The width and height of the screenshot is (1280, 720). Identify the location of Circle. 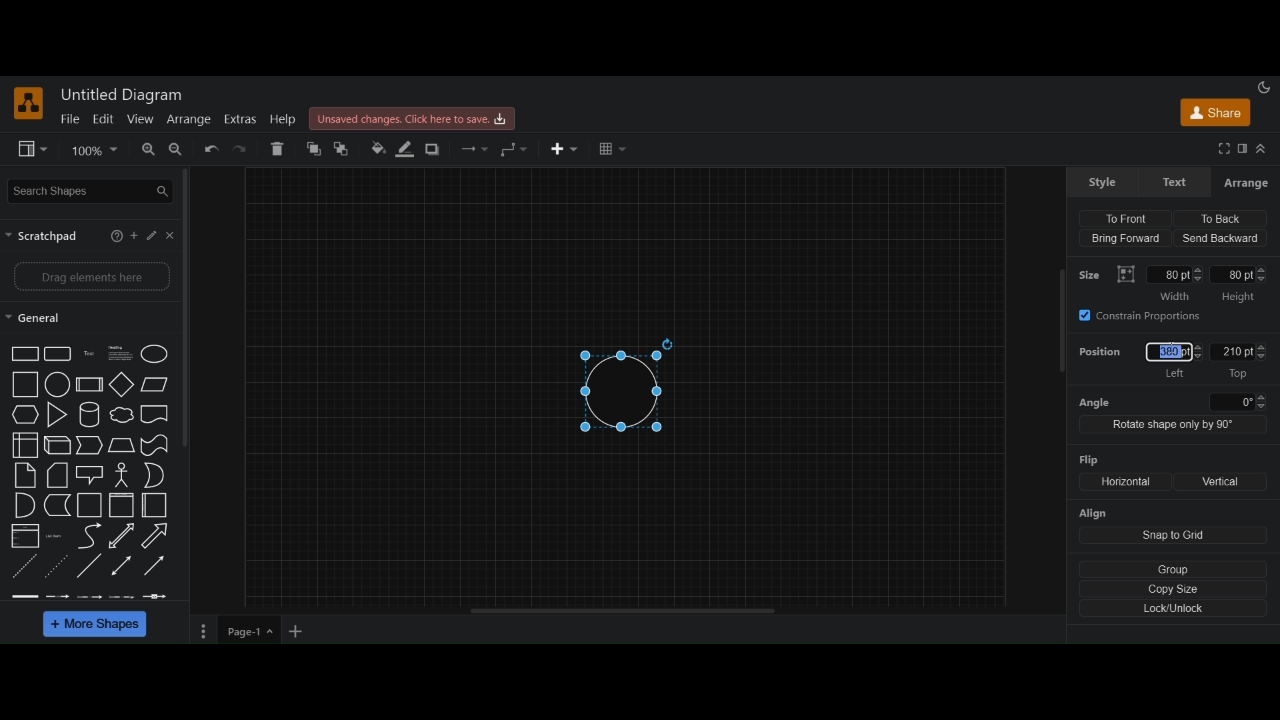
(58, 384).